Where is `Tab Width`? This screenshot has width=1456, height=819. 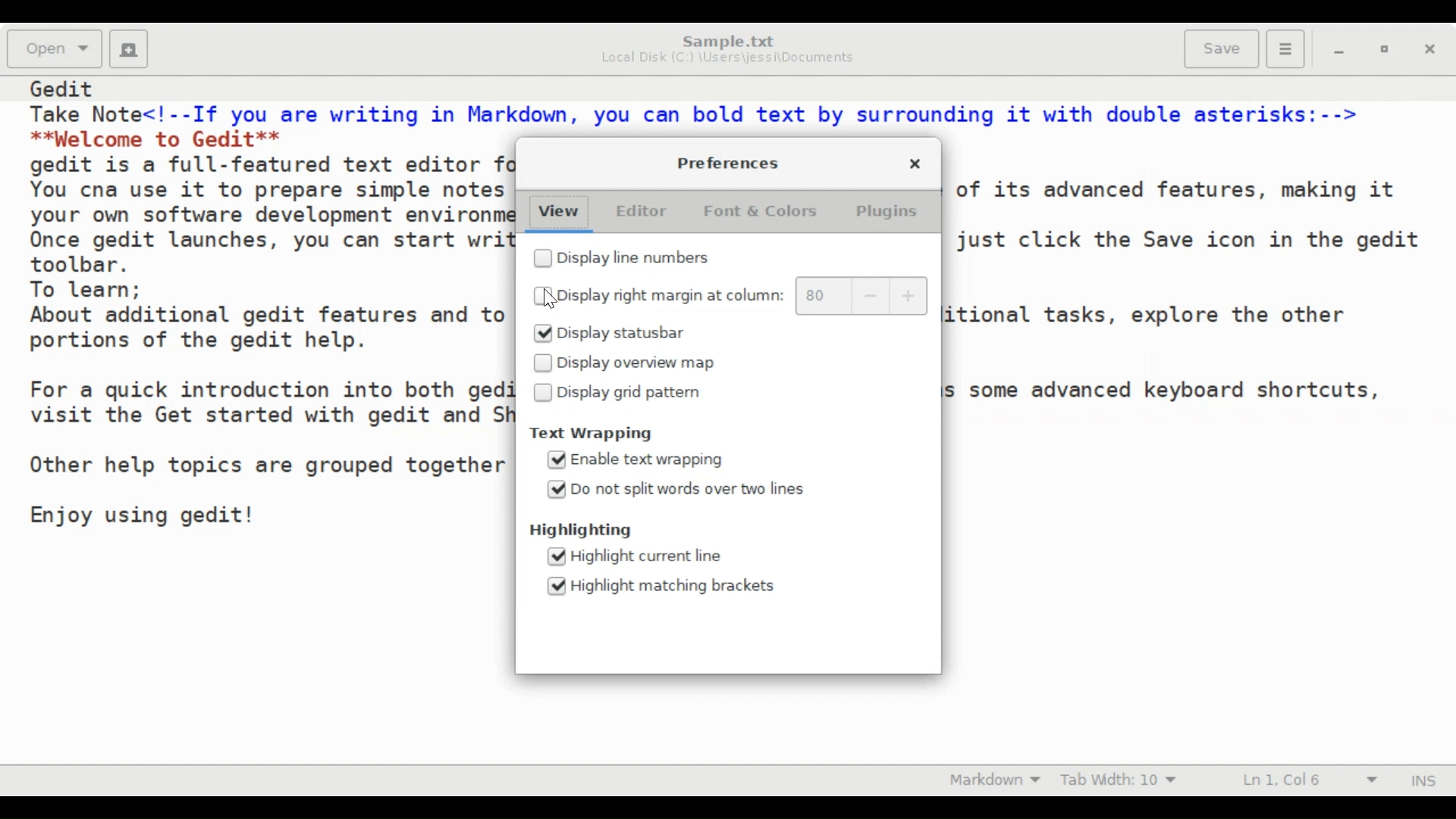
Tab Width is located at coordinates (1120, 781).